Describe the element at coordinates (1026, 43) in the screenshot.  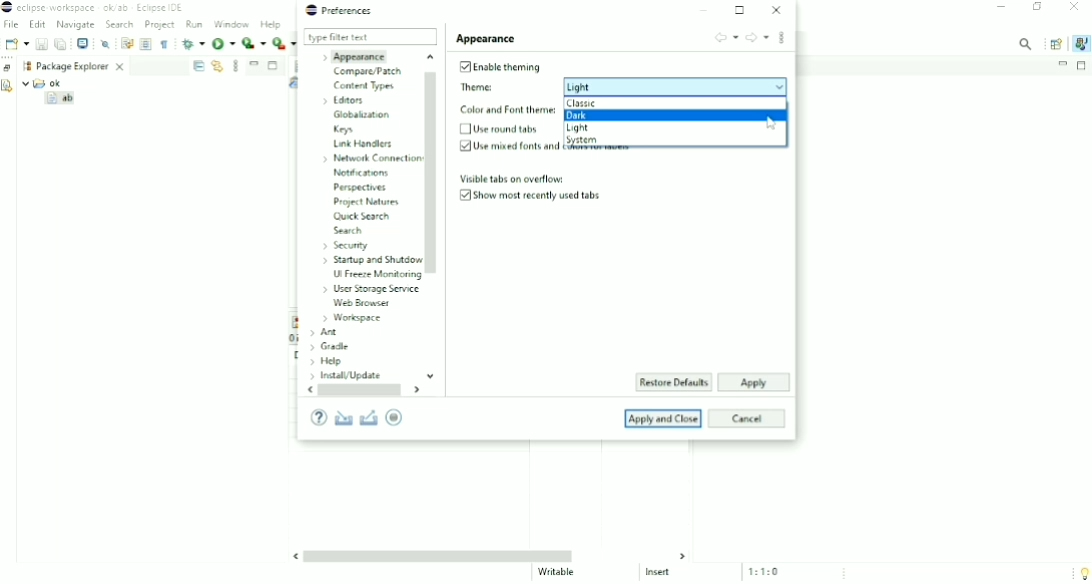
I see `Access commands and other items` at that location.